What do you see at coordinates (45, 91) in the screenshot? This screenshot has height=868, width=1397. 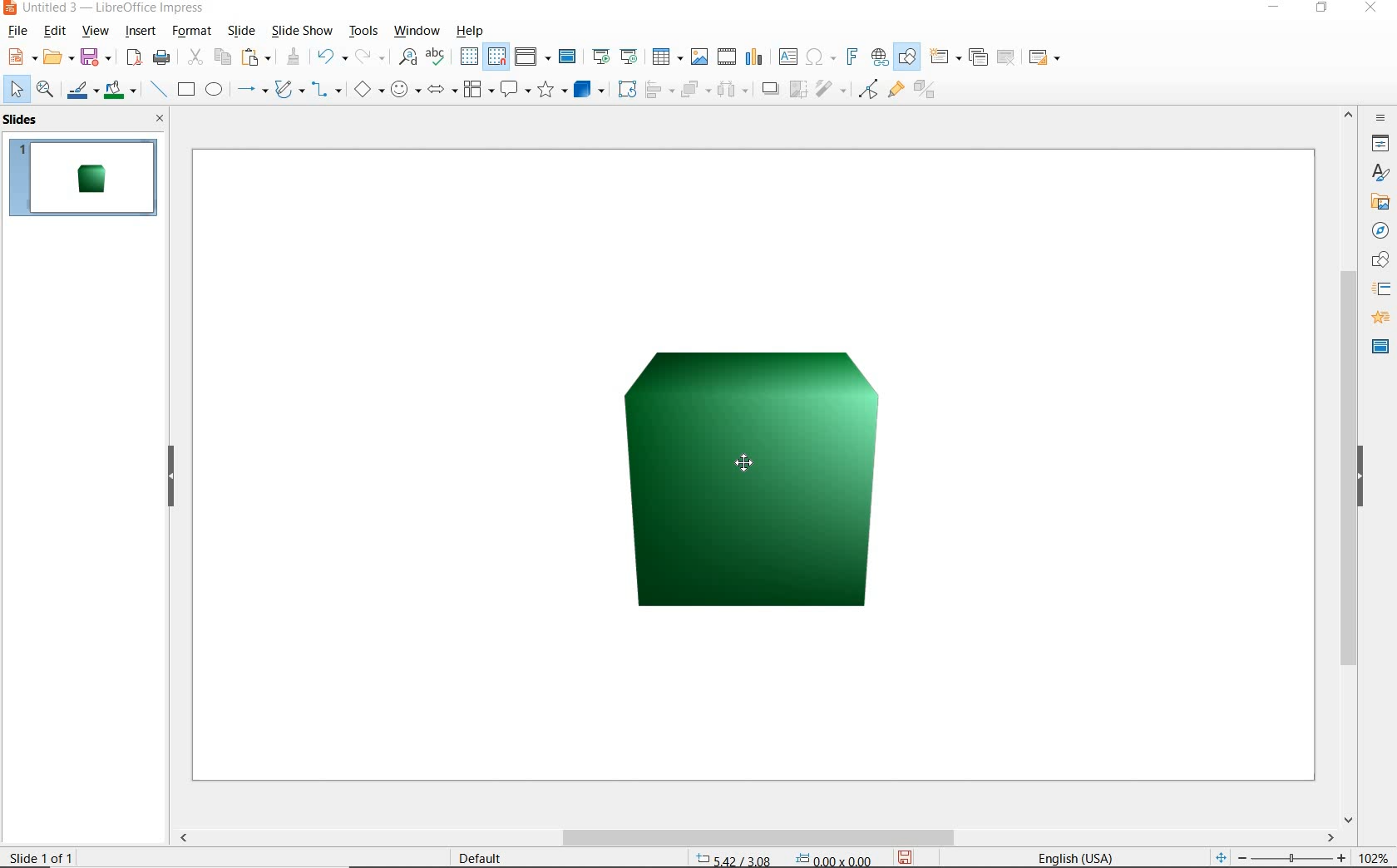 I see `zoom & pan` at bounding box center [45, 91].